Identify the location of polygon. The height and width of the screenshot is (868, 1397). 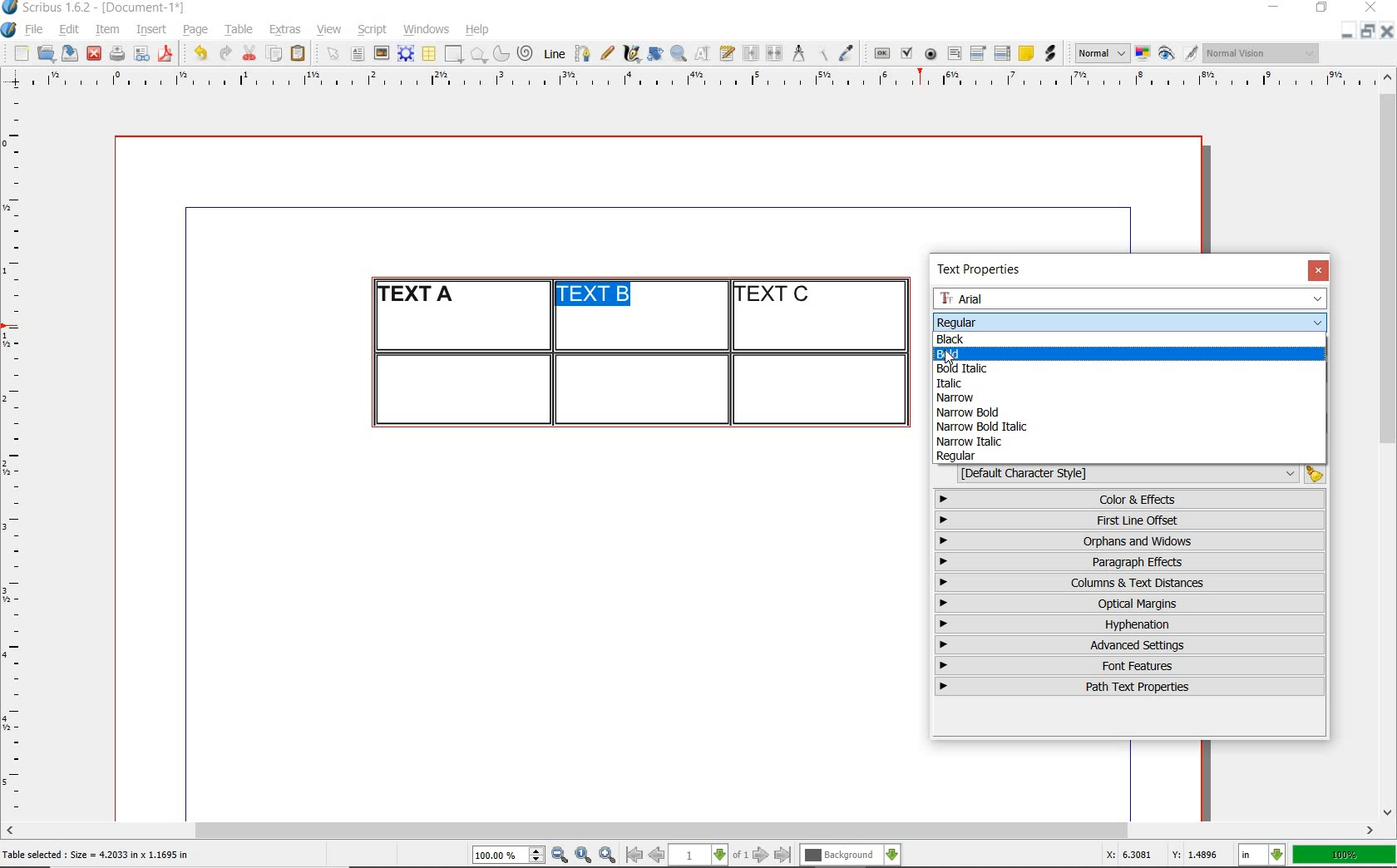
(478, 54).